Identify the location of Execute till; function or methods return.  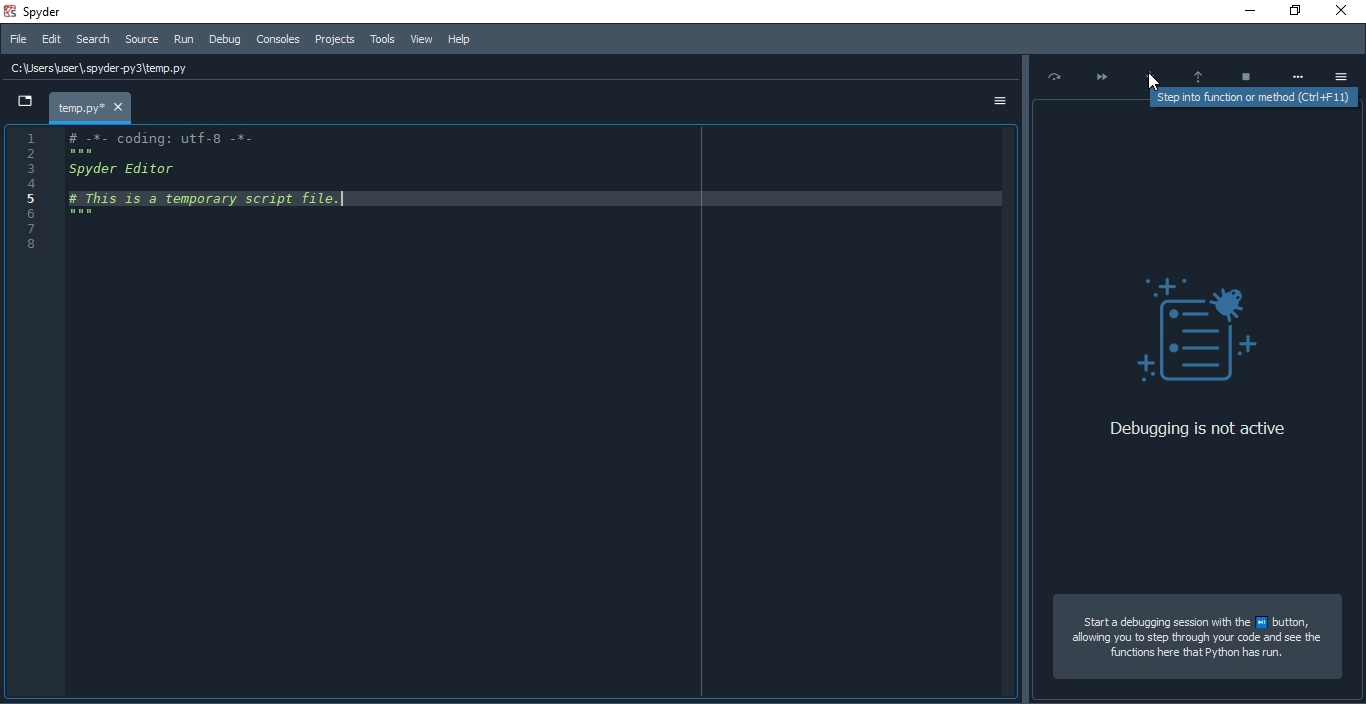
(1198, 71).